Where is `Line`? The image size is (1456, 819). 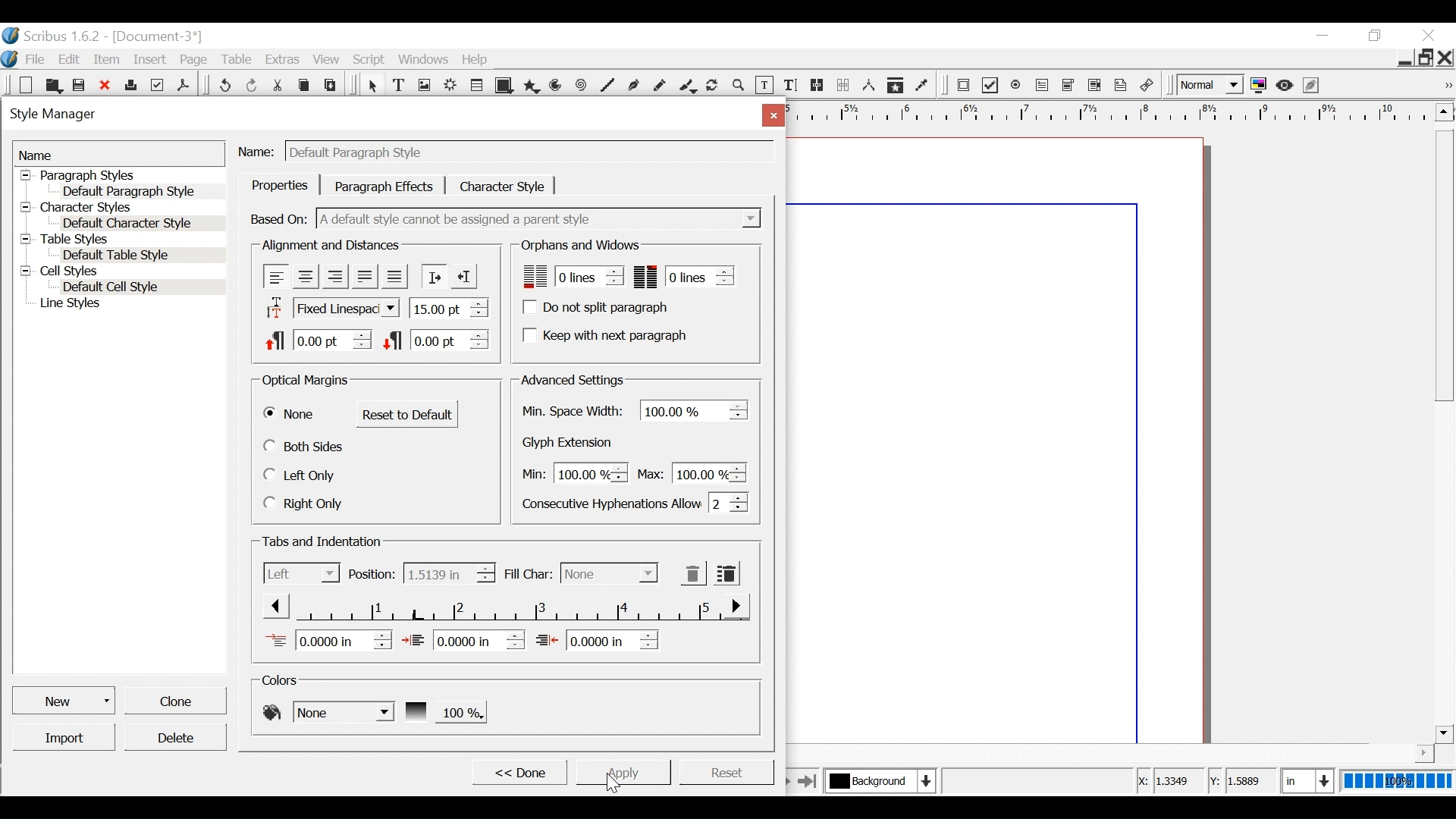 Line is located at coordinates (606, 86).